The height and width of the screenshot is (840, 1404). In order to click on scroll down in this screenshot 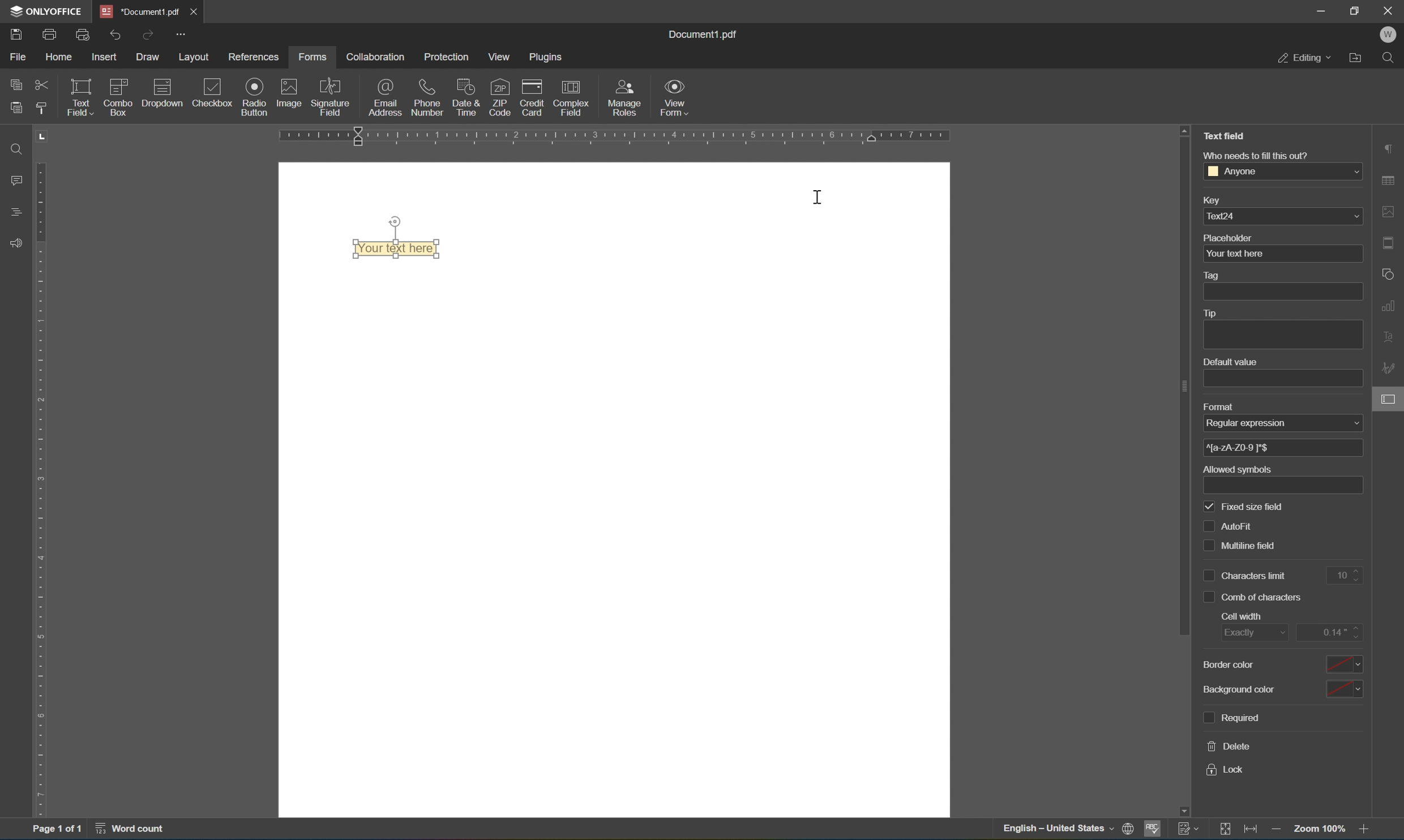, I will do `click(1183, 811)`.